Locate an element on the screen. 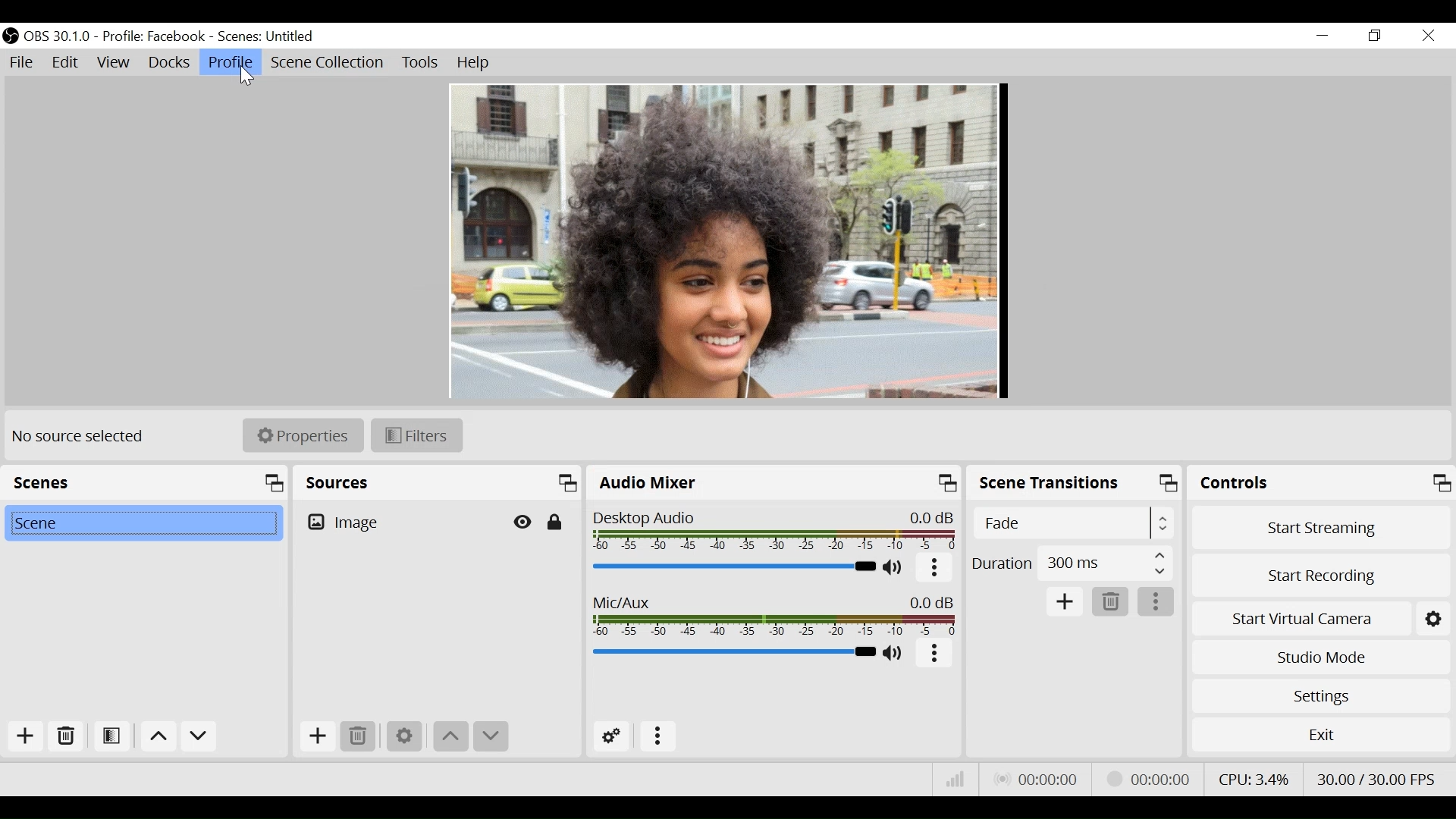 This screenshot has width=1456, height=819. OBS Version is located at coordinates (58, 36).